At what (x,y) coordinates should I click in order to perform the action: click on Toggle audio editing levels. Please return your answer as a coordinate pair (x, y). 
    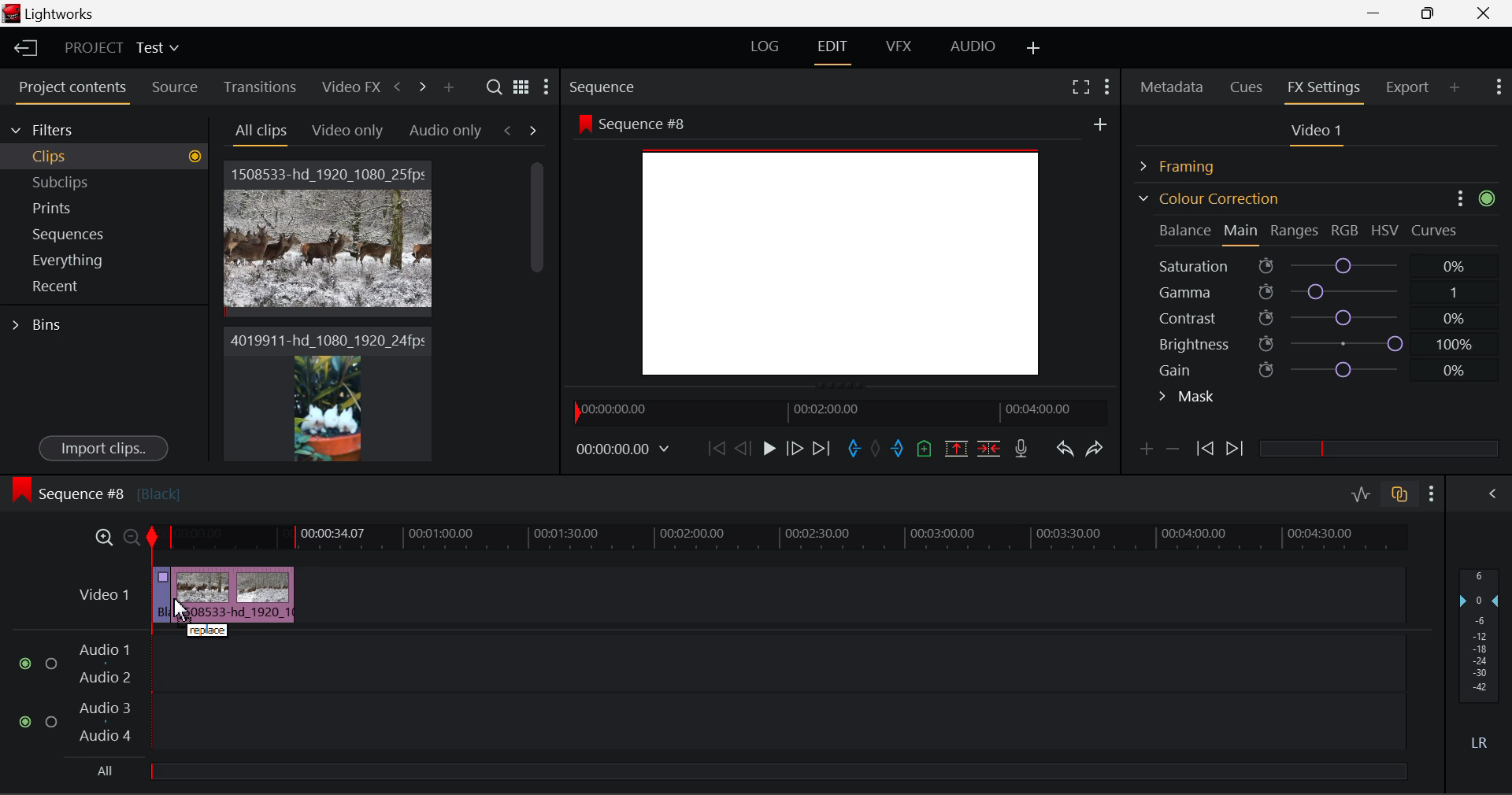
    Looking at the image, I should click on (1362, 492).